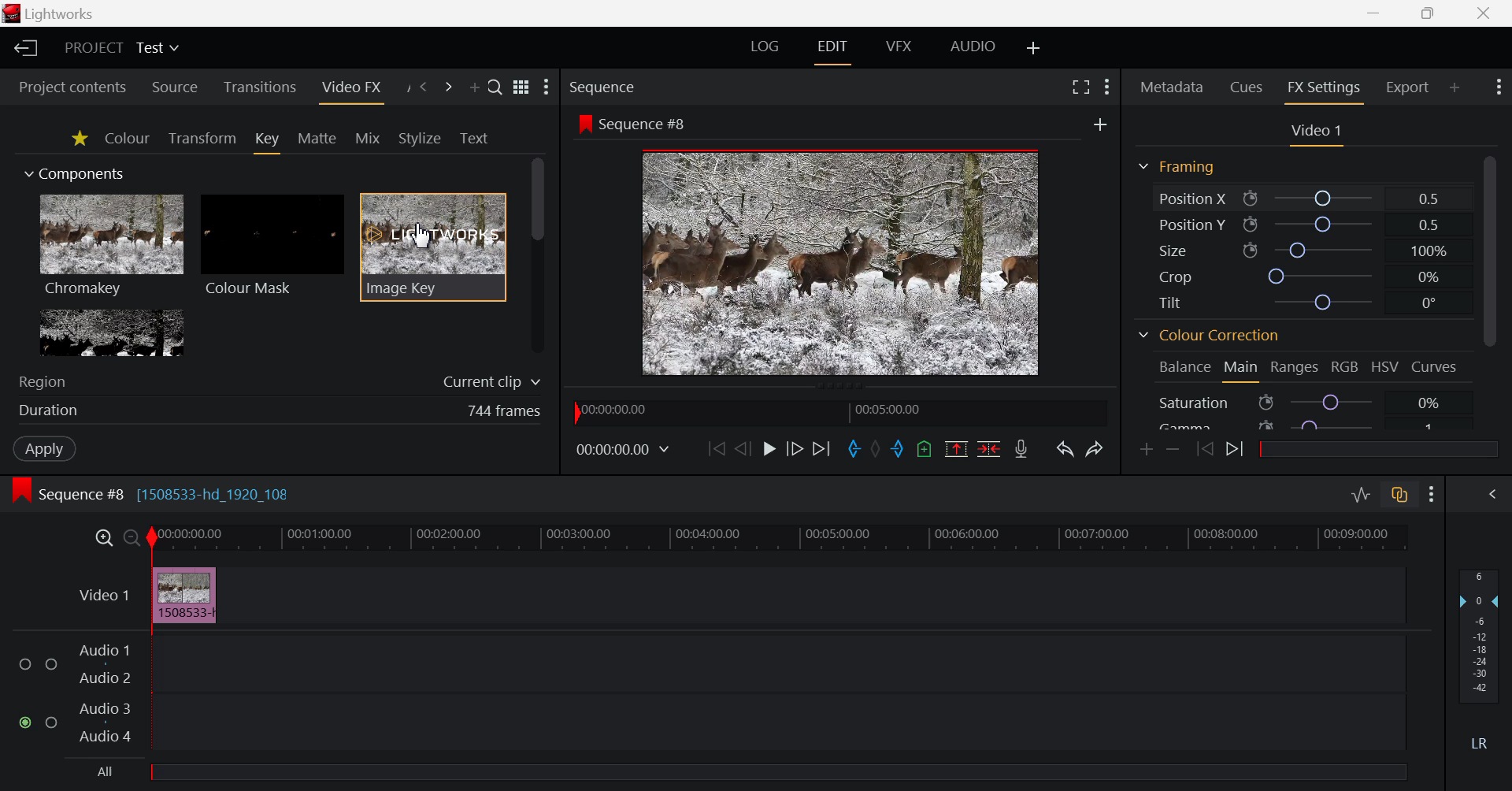 The height and width of the screenshot is (791, 1512). I want to click on Timeline Track, so click(776, 537).